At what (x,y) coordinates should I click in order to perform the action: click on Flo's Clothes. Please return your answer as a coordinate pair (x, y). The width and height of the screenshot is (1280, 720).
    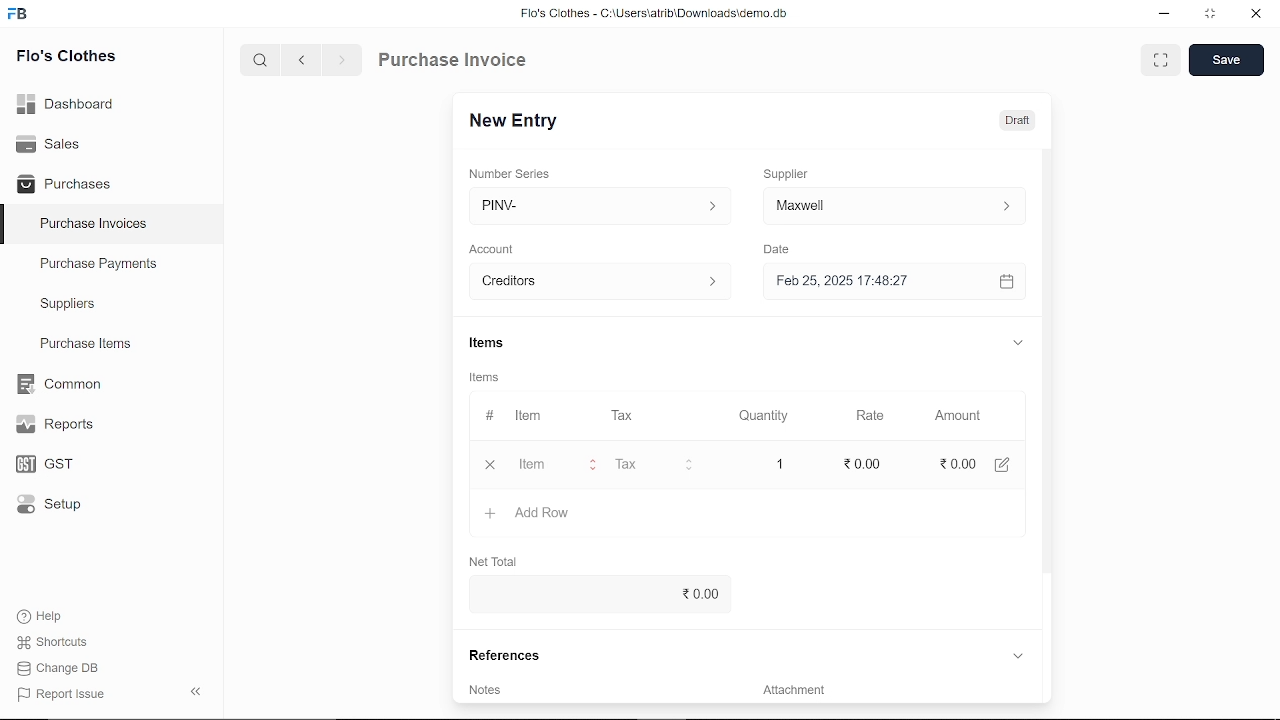
    Looking at the image, I should click on (66, 57).